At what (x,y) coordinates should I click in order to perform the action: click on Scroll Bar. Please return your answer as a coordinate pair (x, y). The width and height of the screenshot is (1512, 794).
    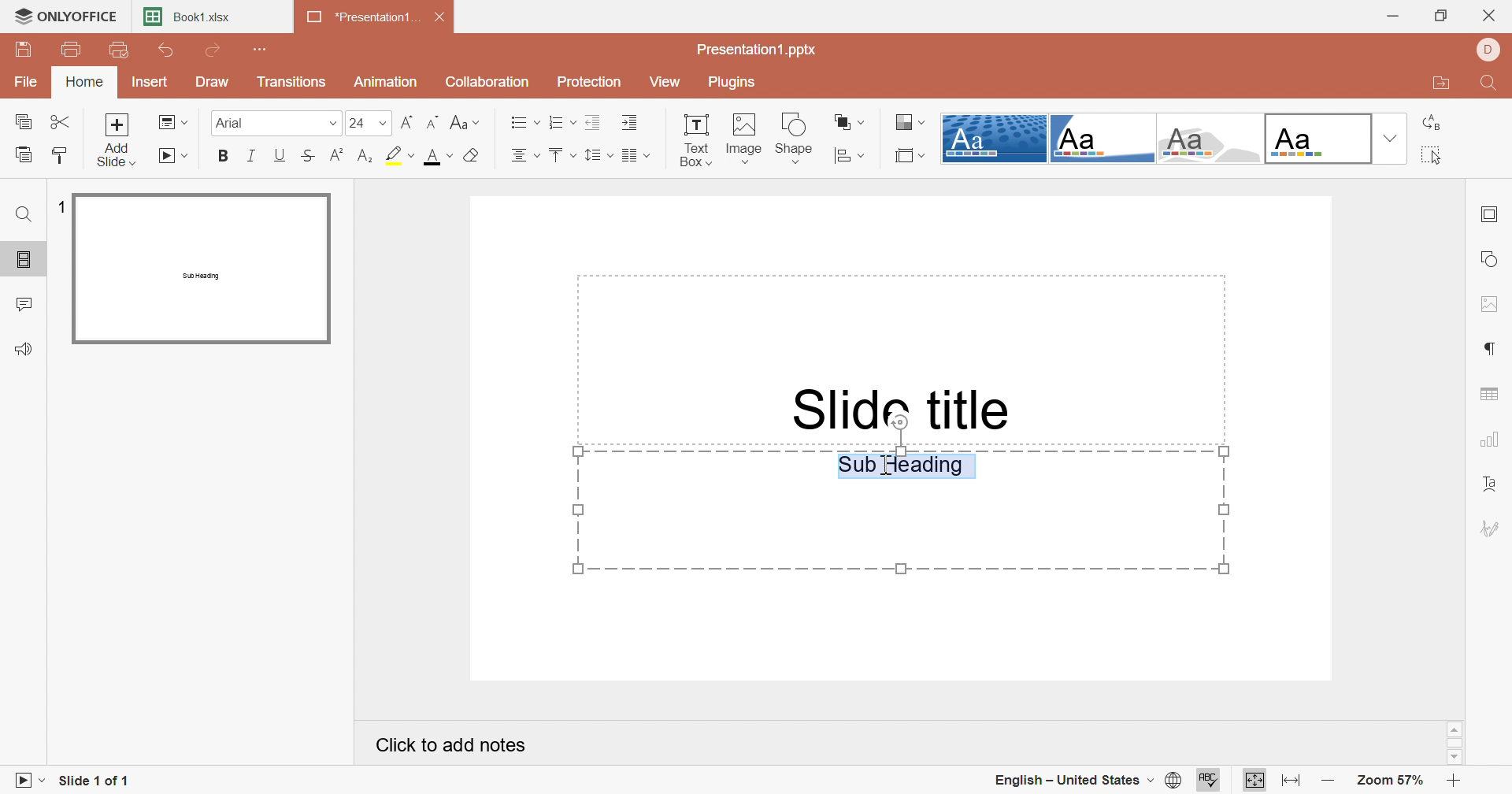
    Looking at the image, I should click on (1454, 741).